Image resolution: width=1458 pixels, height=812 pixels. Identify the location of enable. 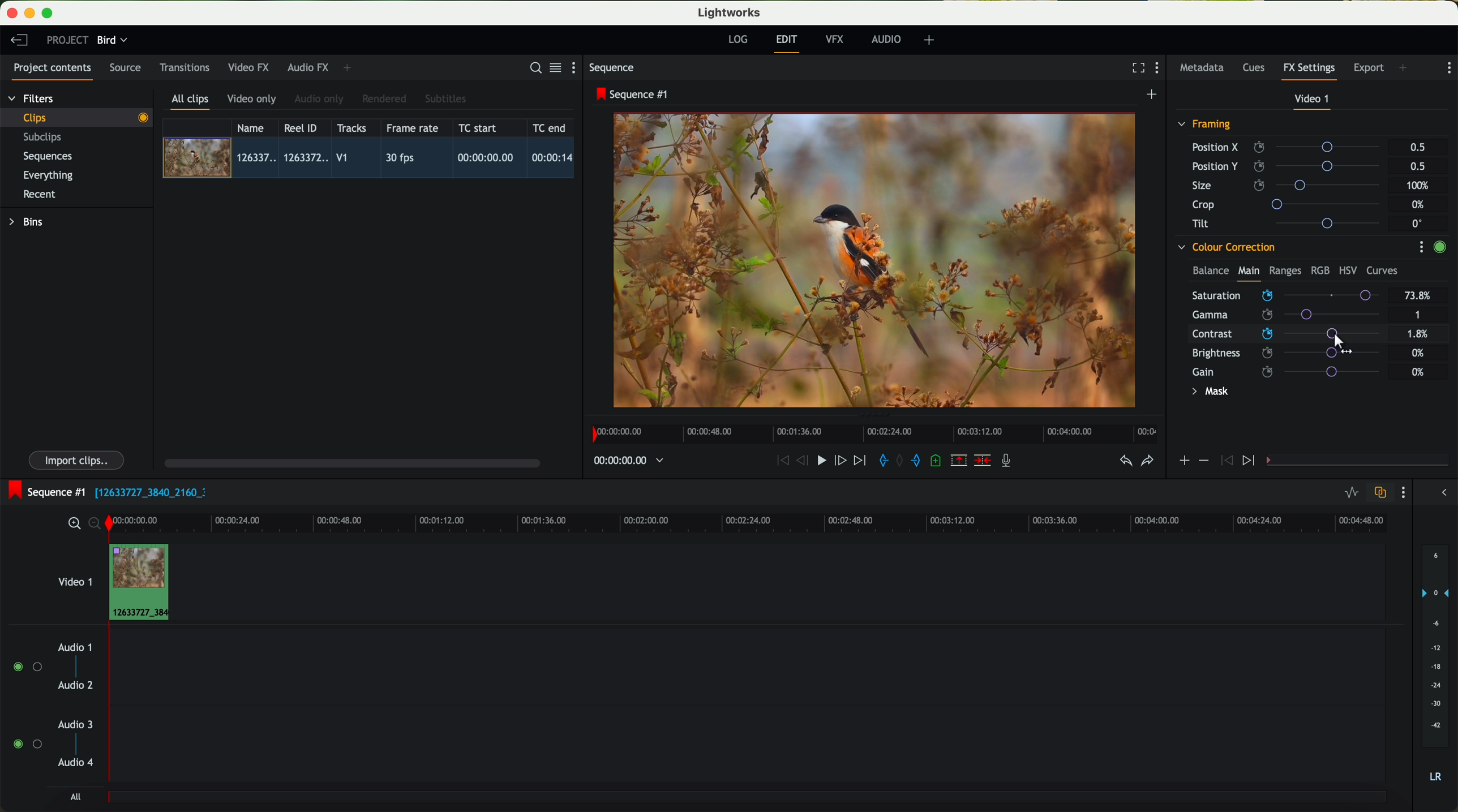
(1439, 248).